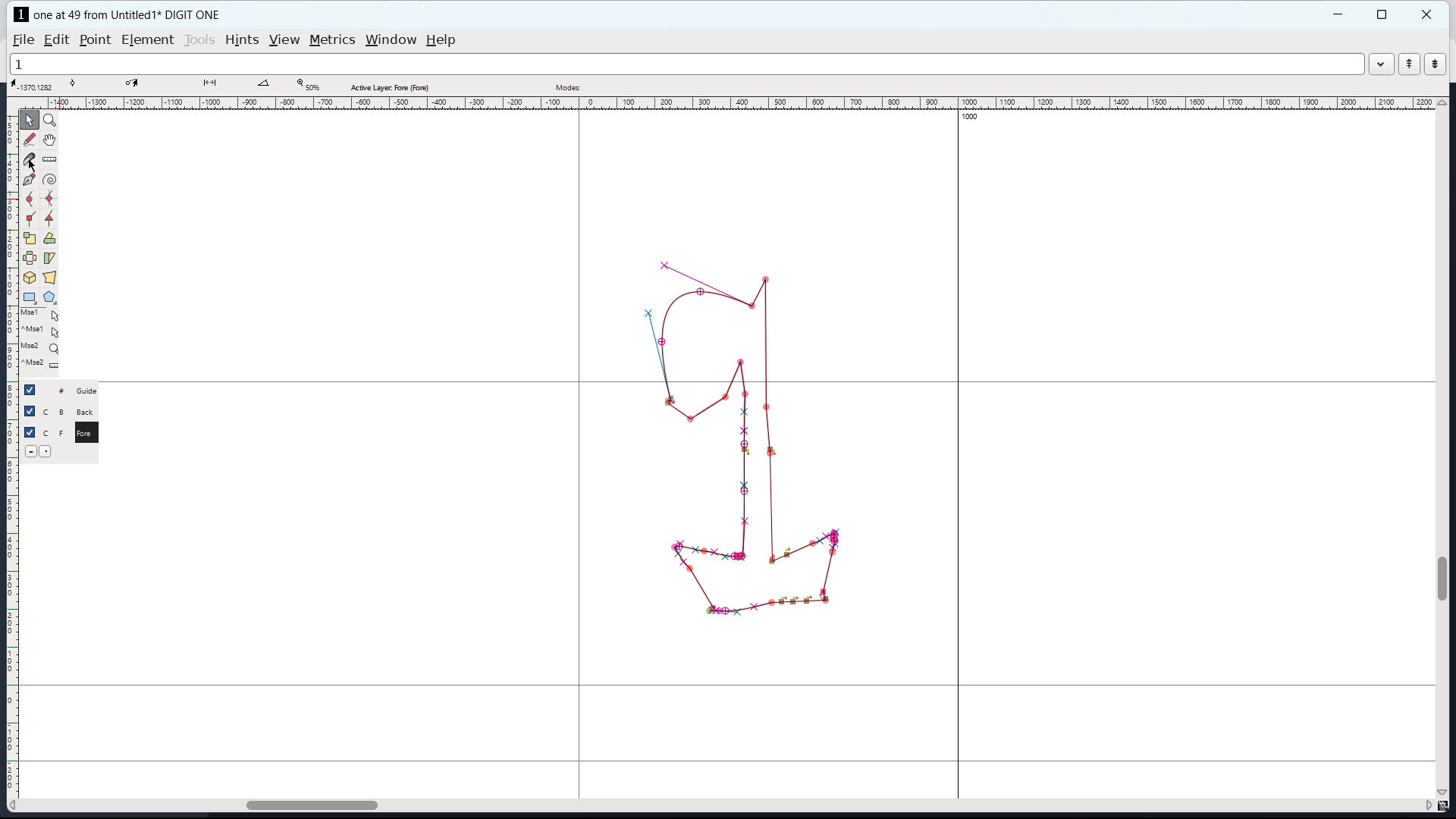 This screenshot has height=819, width=1456. Describe the element at coordinates (29, 180) in the screenshot. I see `add a point then drag out its  control points` at that location.